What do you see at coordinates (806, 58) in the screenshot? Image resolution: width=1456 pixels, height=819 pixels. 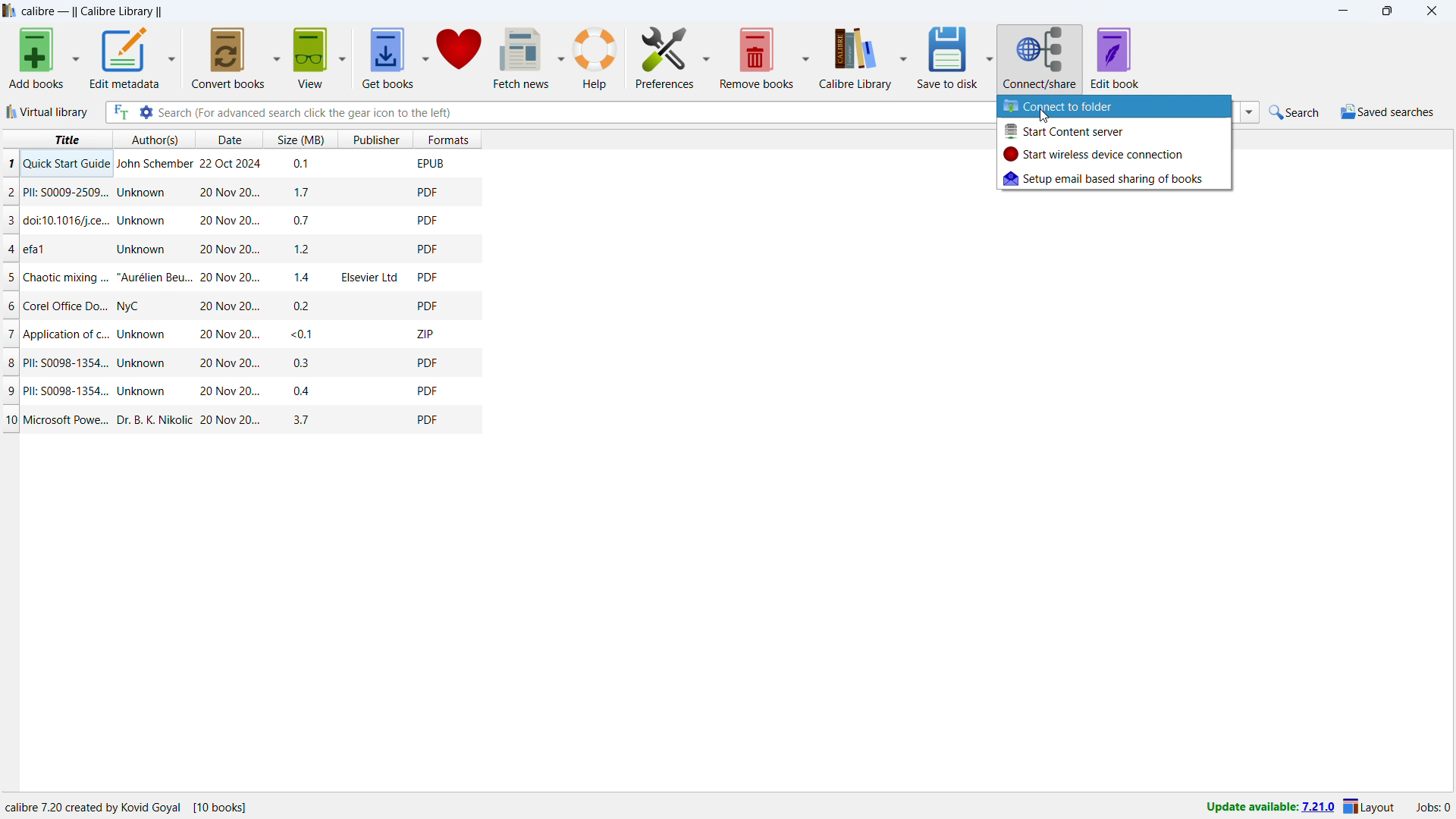 I see `remove books options` at bounding box center [806, 58].